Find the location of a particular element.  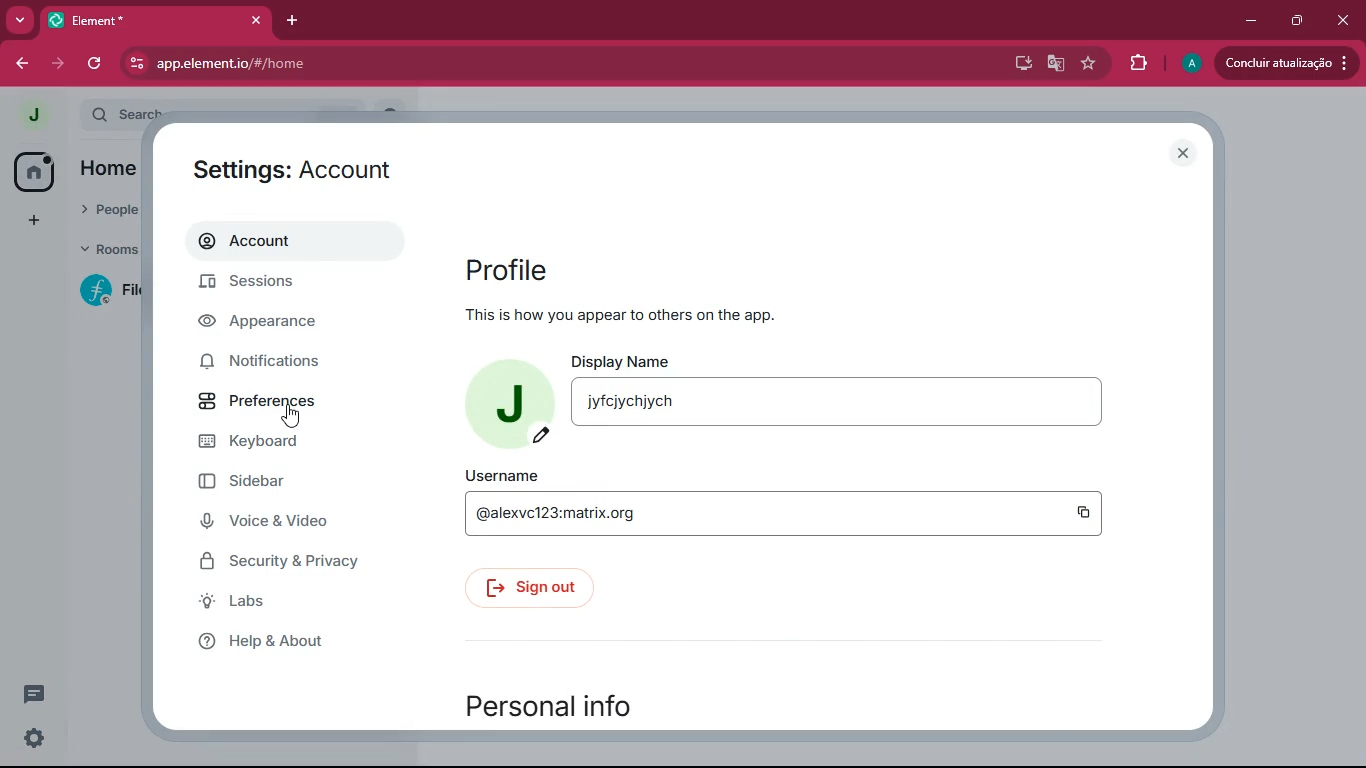

username is located at coordinates (791, 476).